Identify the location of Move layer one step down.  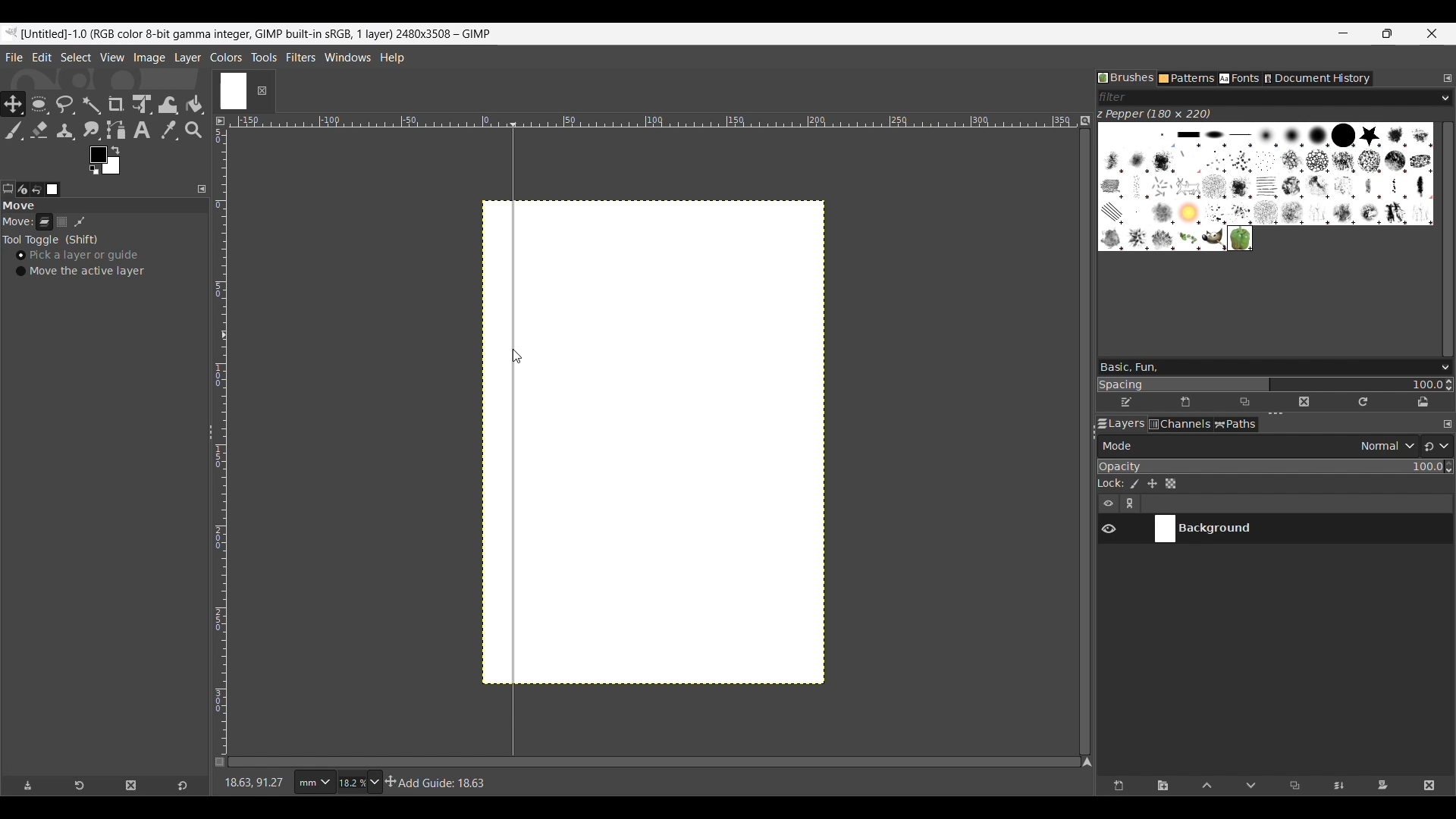
(1251, 786).